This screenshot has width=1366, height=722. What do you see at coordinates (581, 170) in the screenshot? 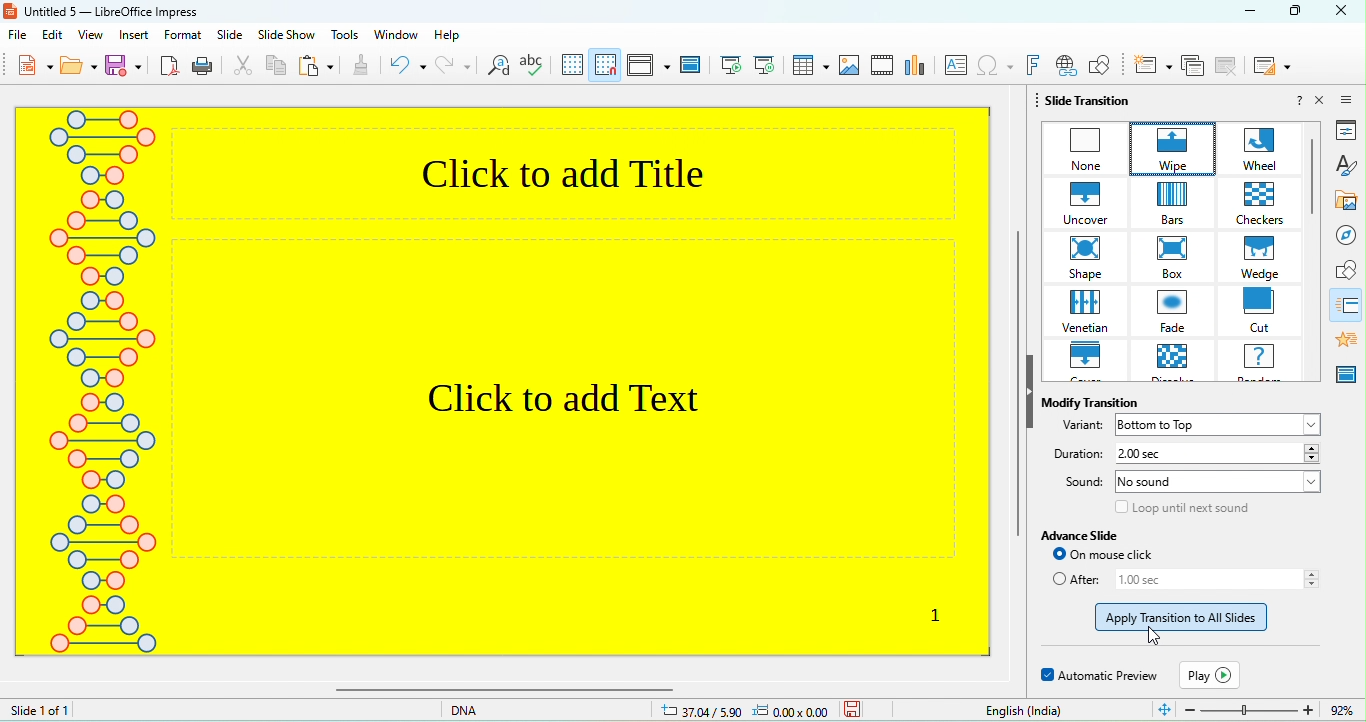
I see `click to add title` at bounding box center [581, 170].